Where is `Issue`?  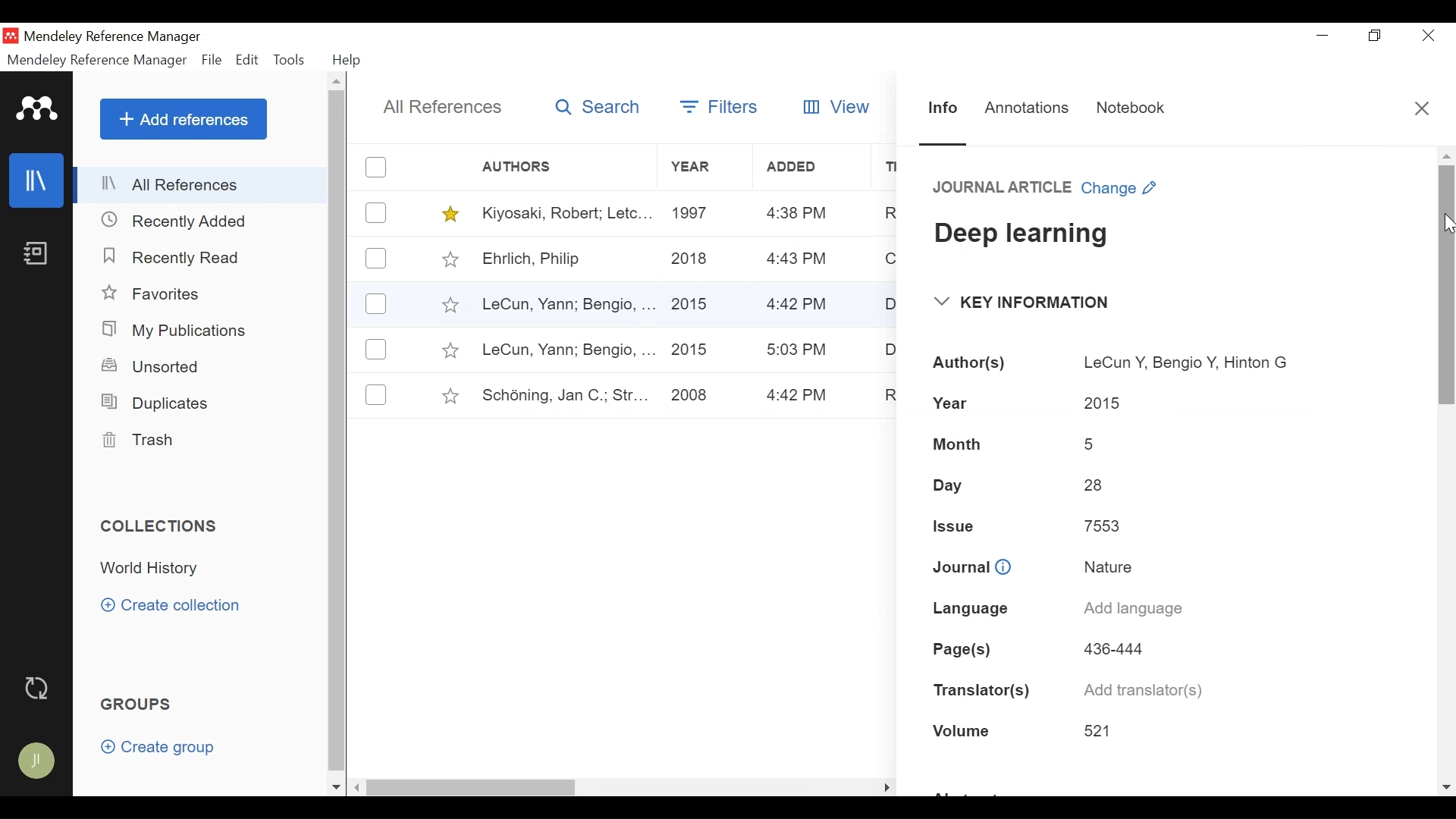 Issue is located at coordinates (959, 524).